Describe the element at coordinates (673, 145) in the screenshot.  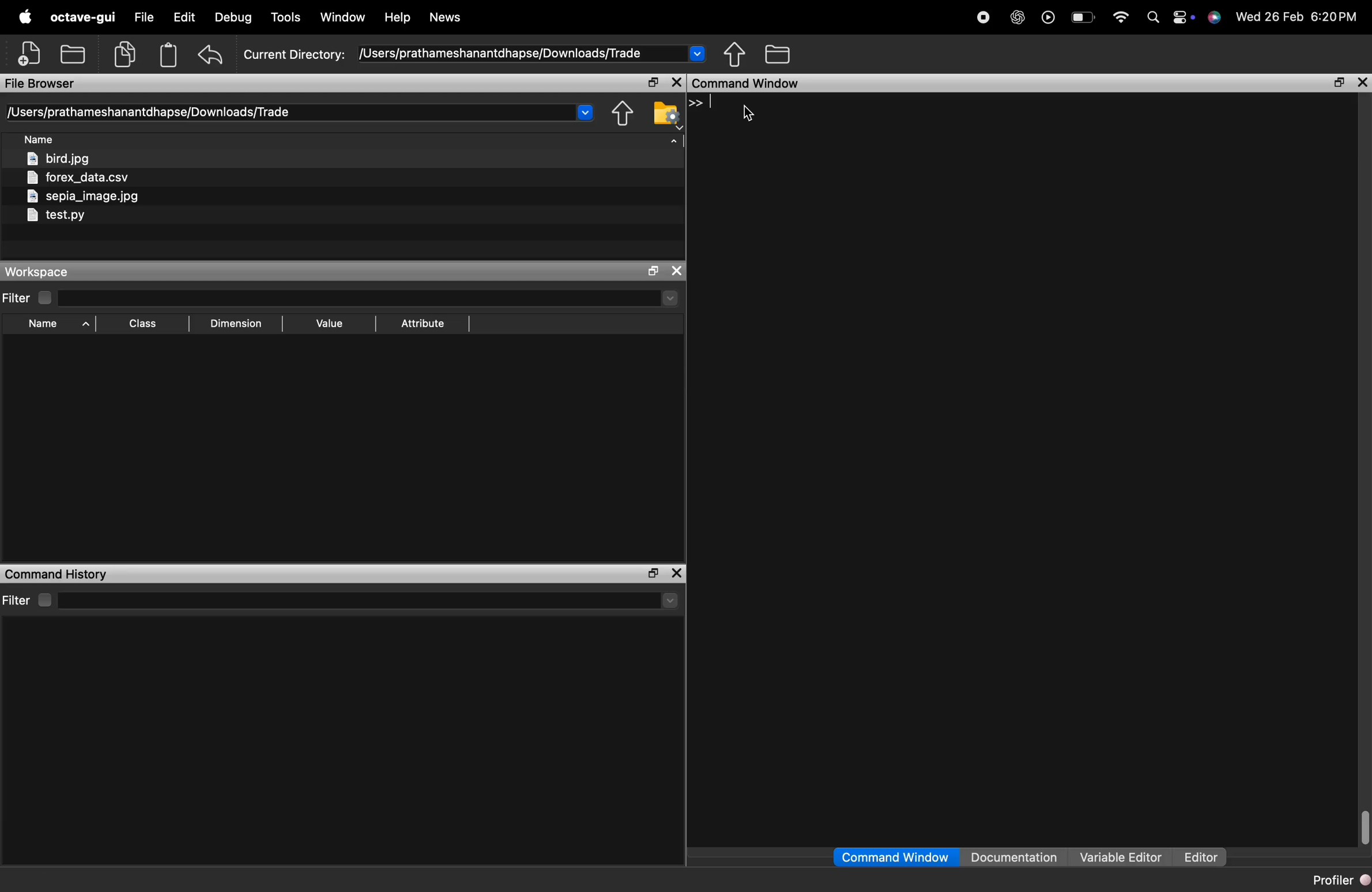
I see `dropdown` at that location.